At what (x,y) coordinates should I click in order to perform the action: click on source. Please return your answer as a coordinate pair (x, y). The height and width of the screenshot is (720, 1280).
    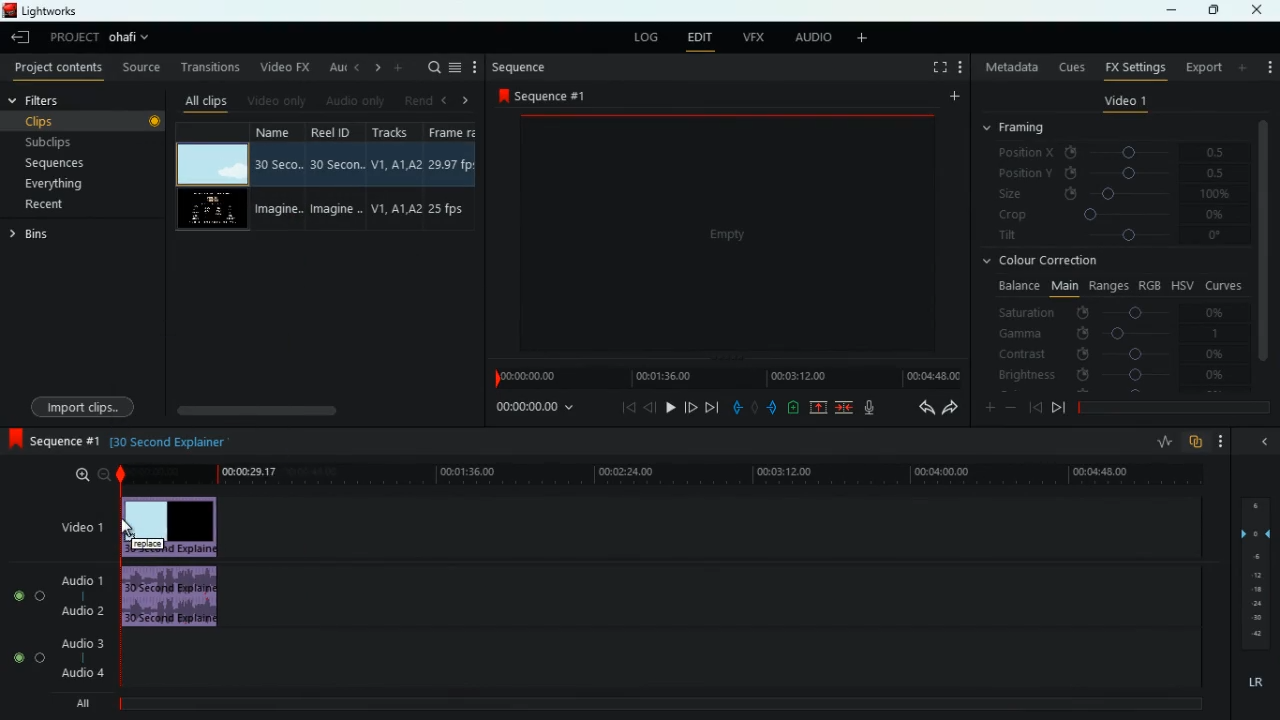
    Looking at the image, I should click on (138, 66).